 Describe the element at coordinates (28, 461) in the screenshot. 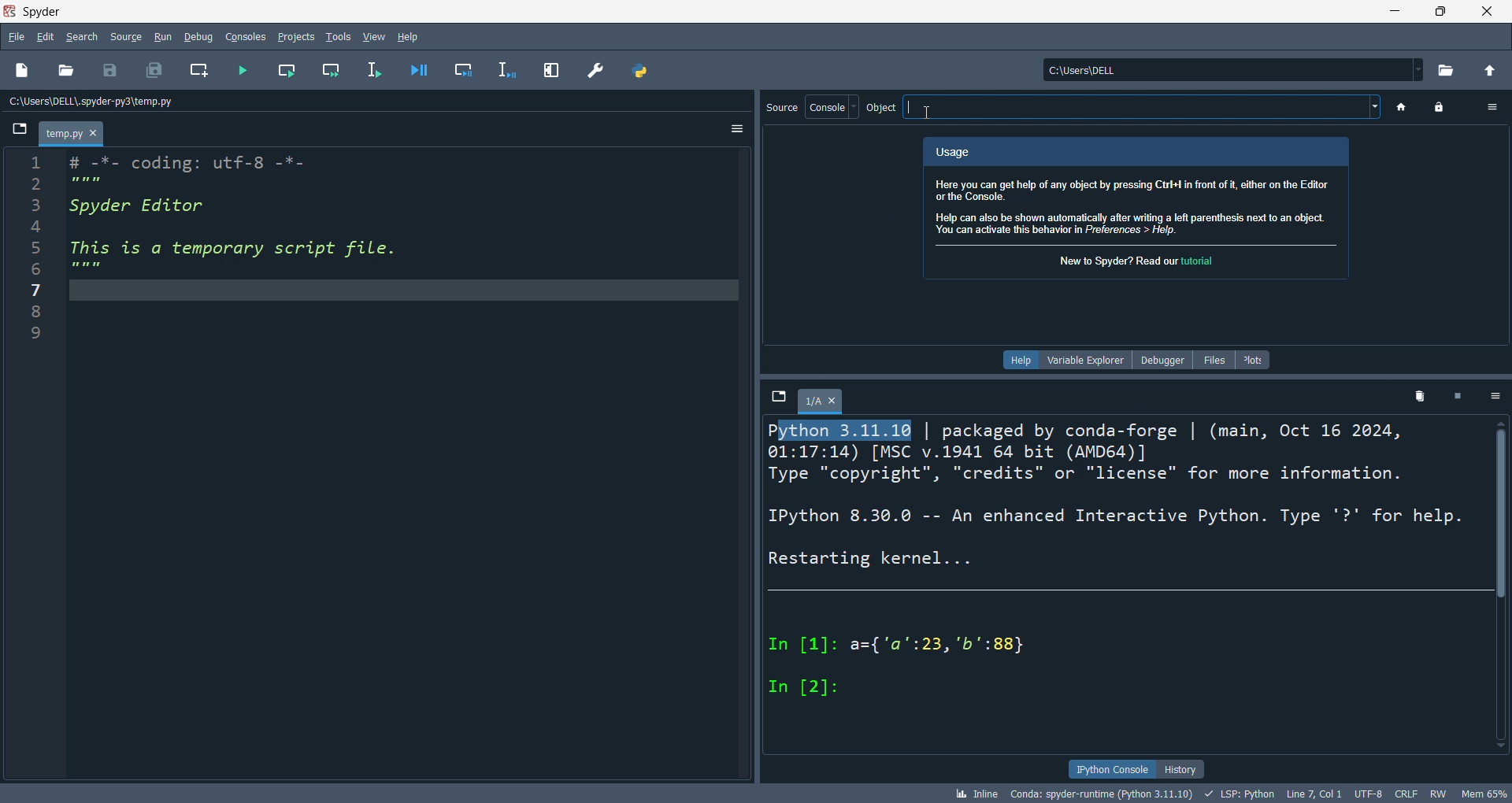

I see `line number` at that location.